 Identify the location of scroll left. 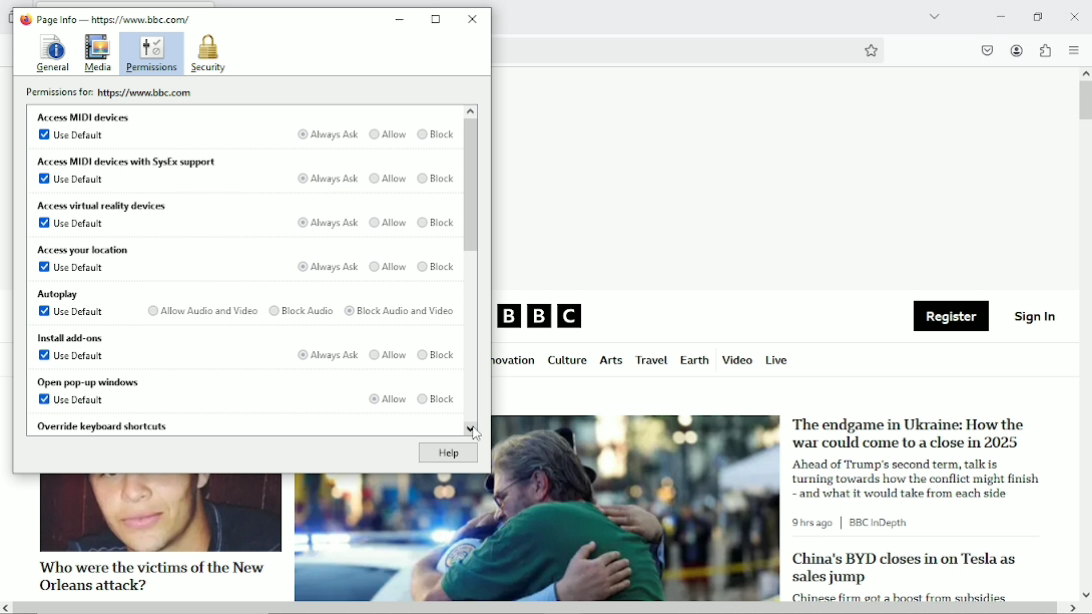
(7, 608).